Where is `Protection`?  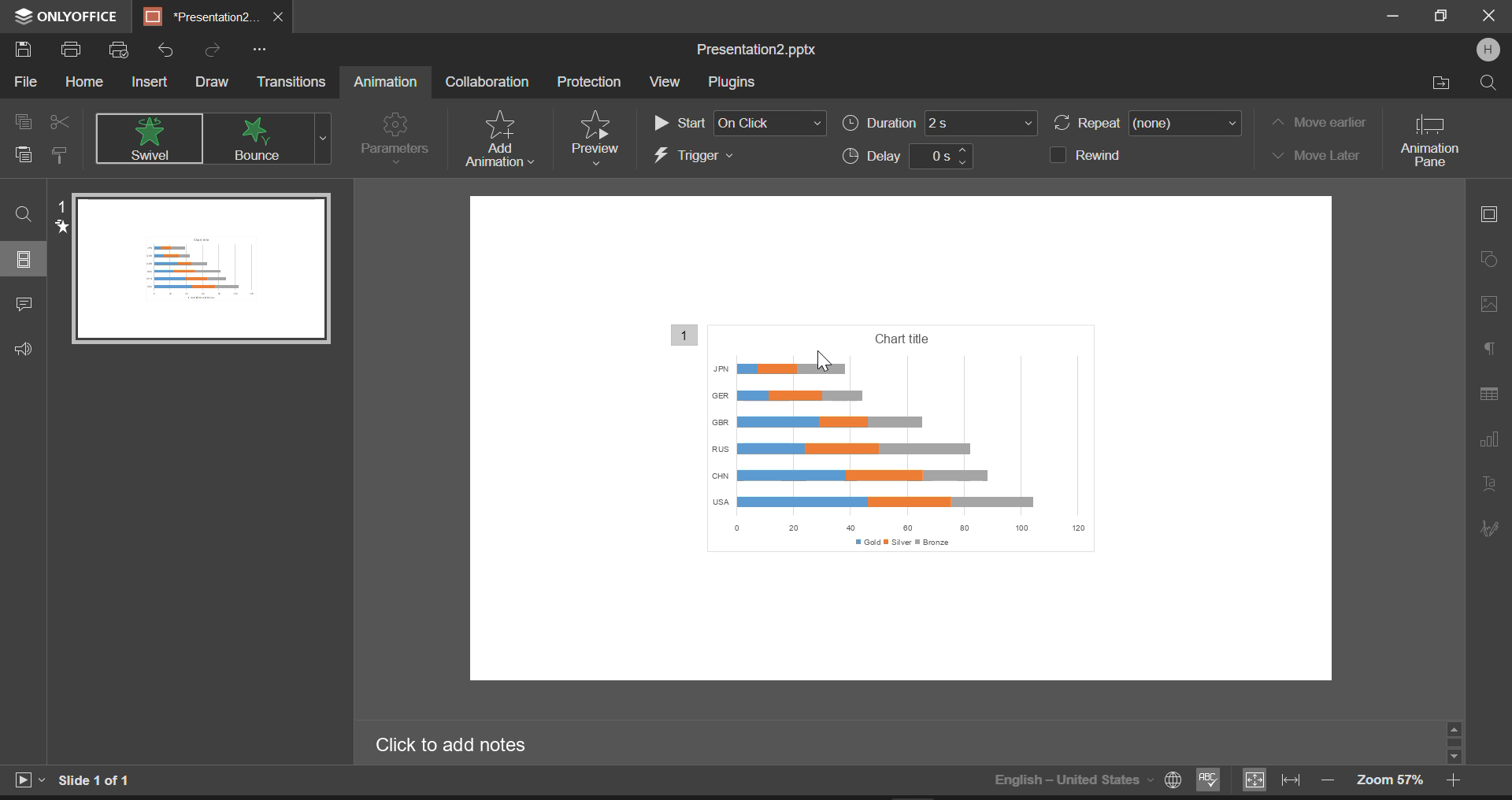 Protection is located at coordinates (592, 81).